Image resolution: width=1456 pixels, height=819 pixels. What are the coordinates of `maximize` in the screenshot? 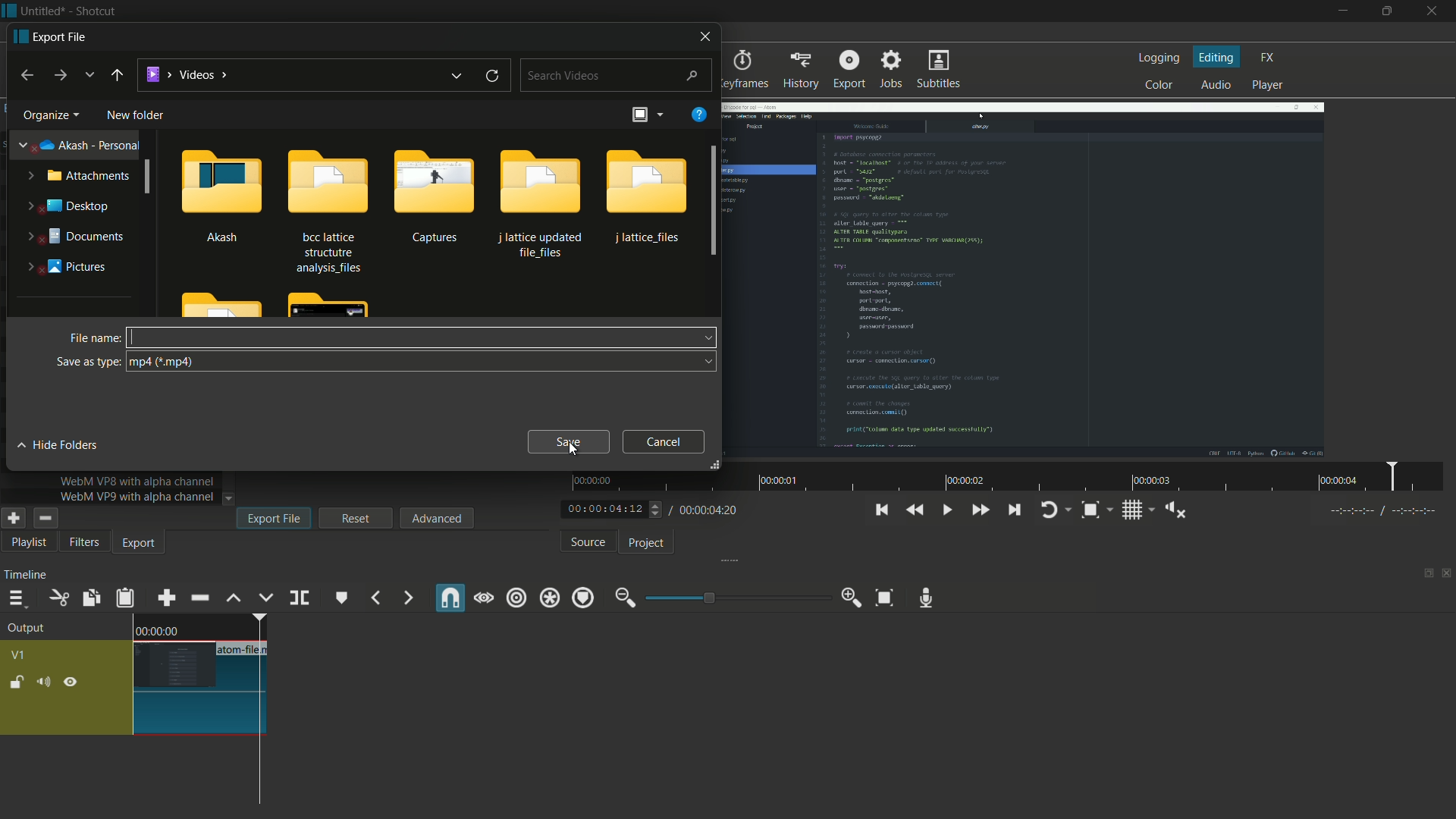 It's located at (1389, 11).